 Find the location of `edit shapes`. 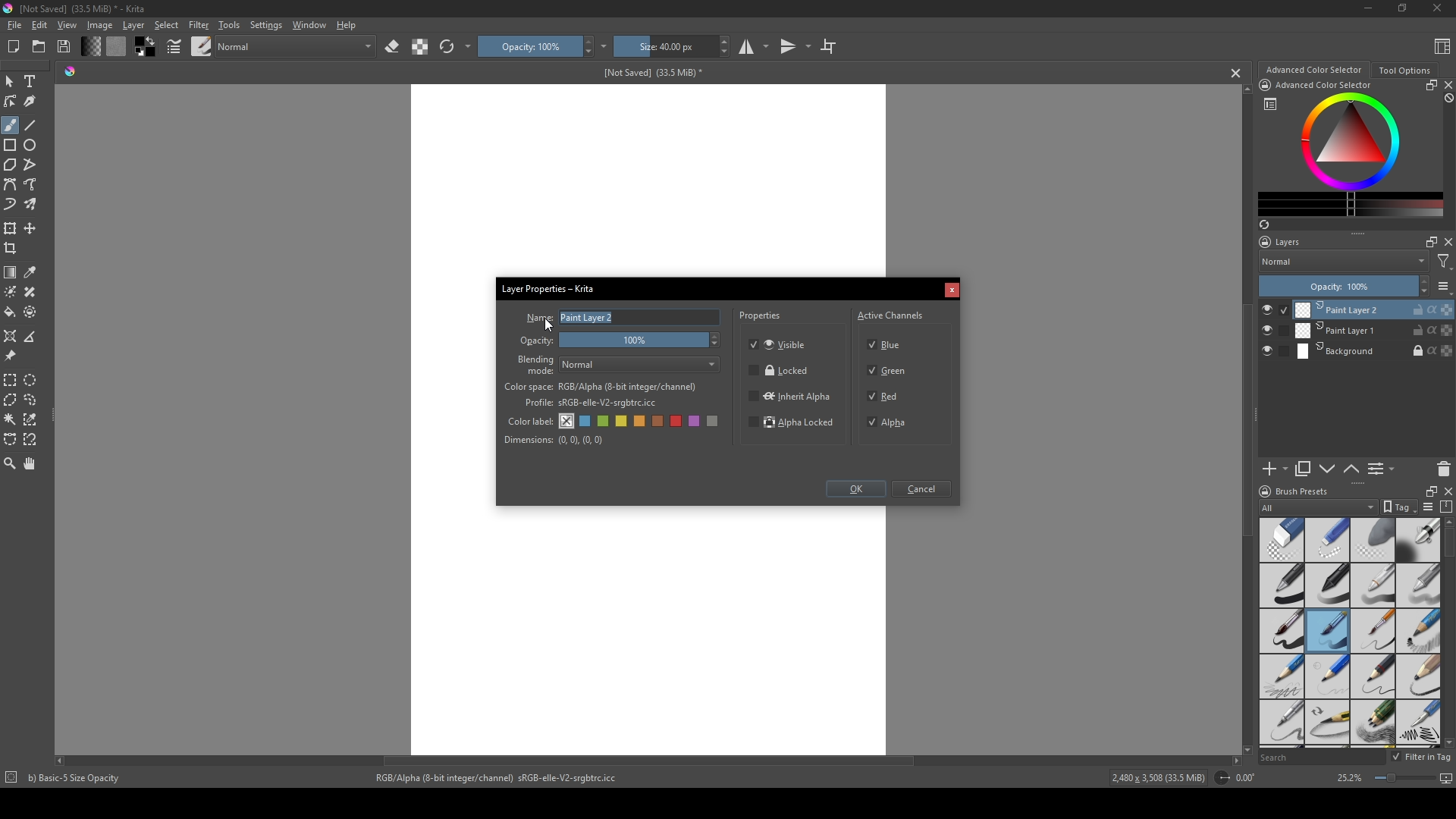

edit shapes is located at coordinates (11, 102).